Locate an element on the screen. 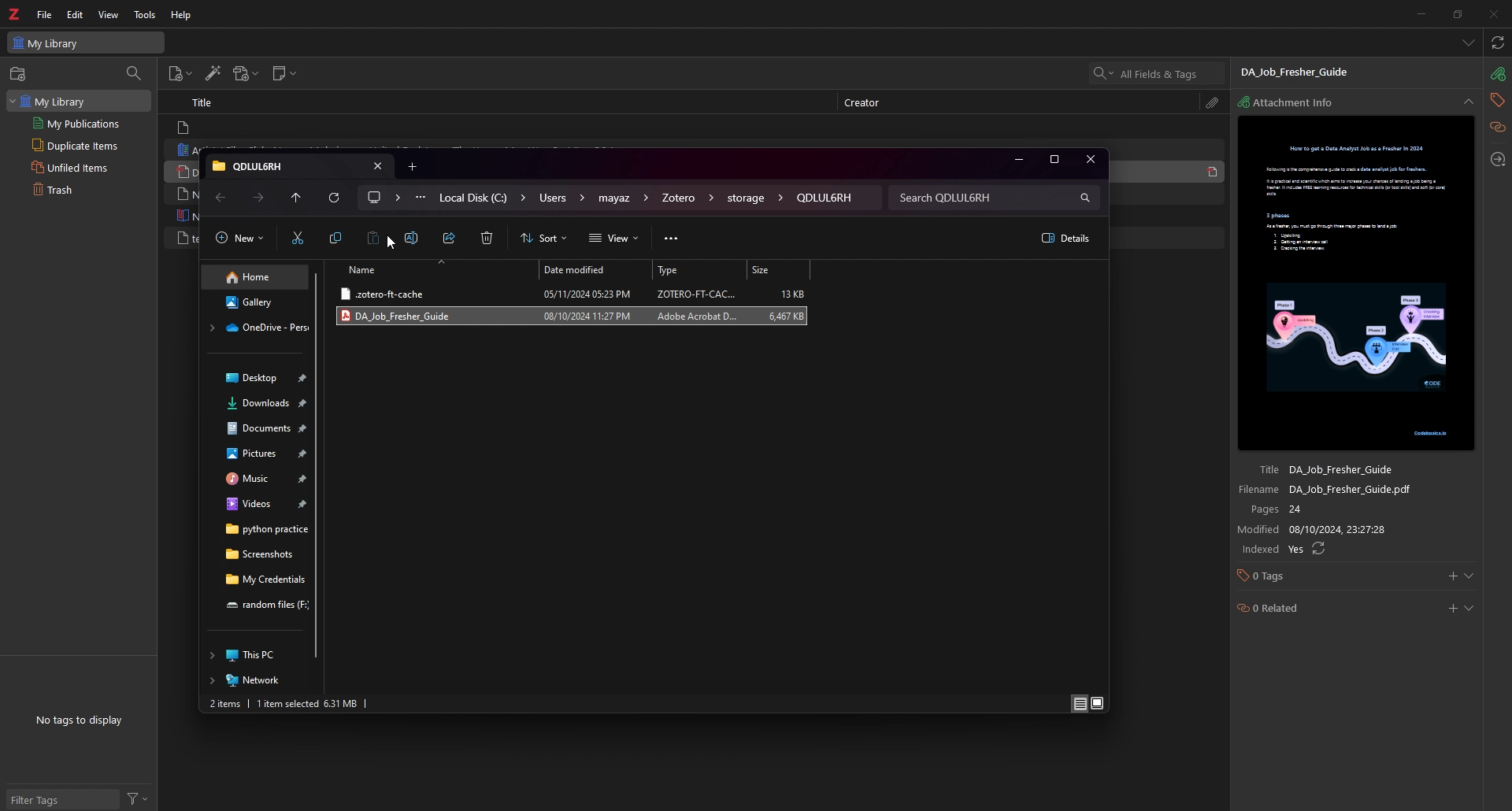  add tags is located at coordinates (1451, 576).